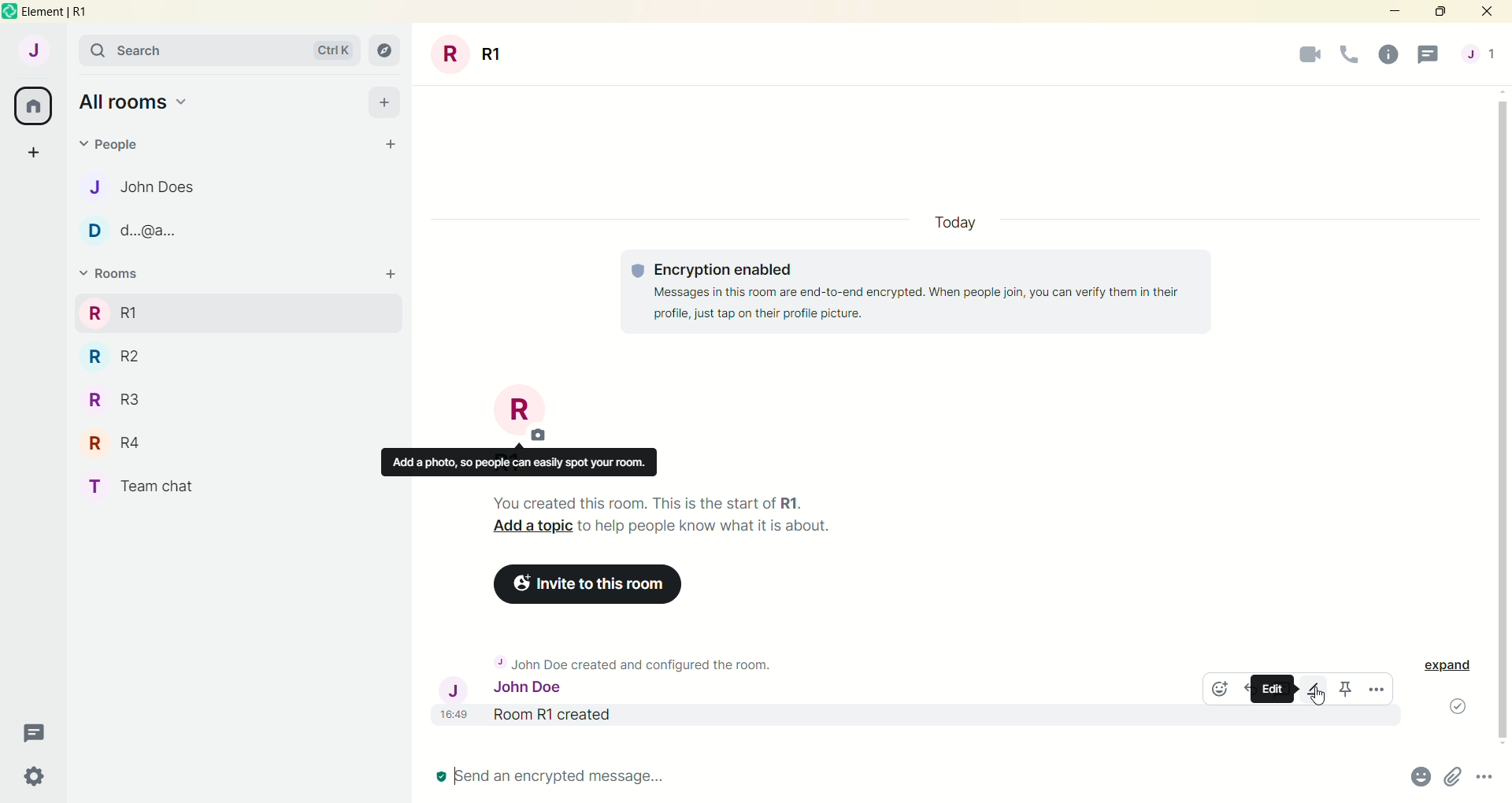  Describe the element at coordinates (1308, 56) in the screenshot. I see `video call` at that location.